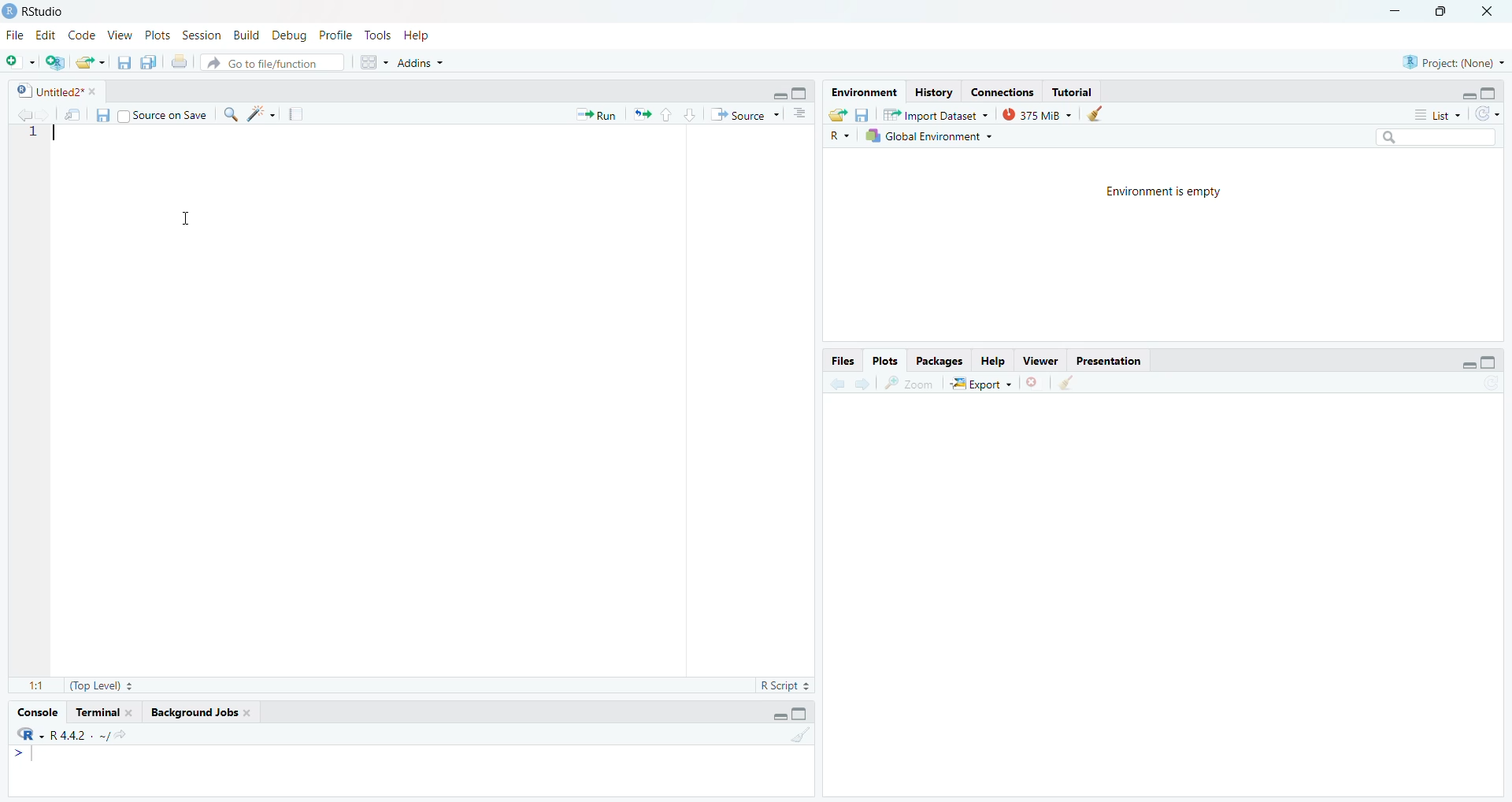 The image size is (1512, 802). Describe the element at coordinates (98, 734) in the screenshot. I see `r4.42/` at that location.